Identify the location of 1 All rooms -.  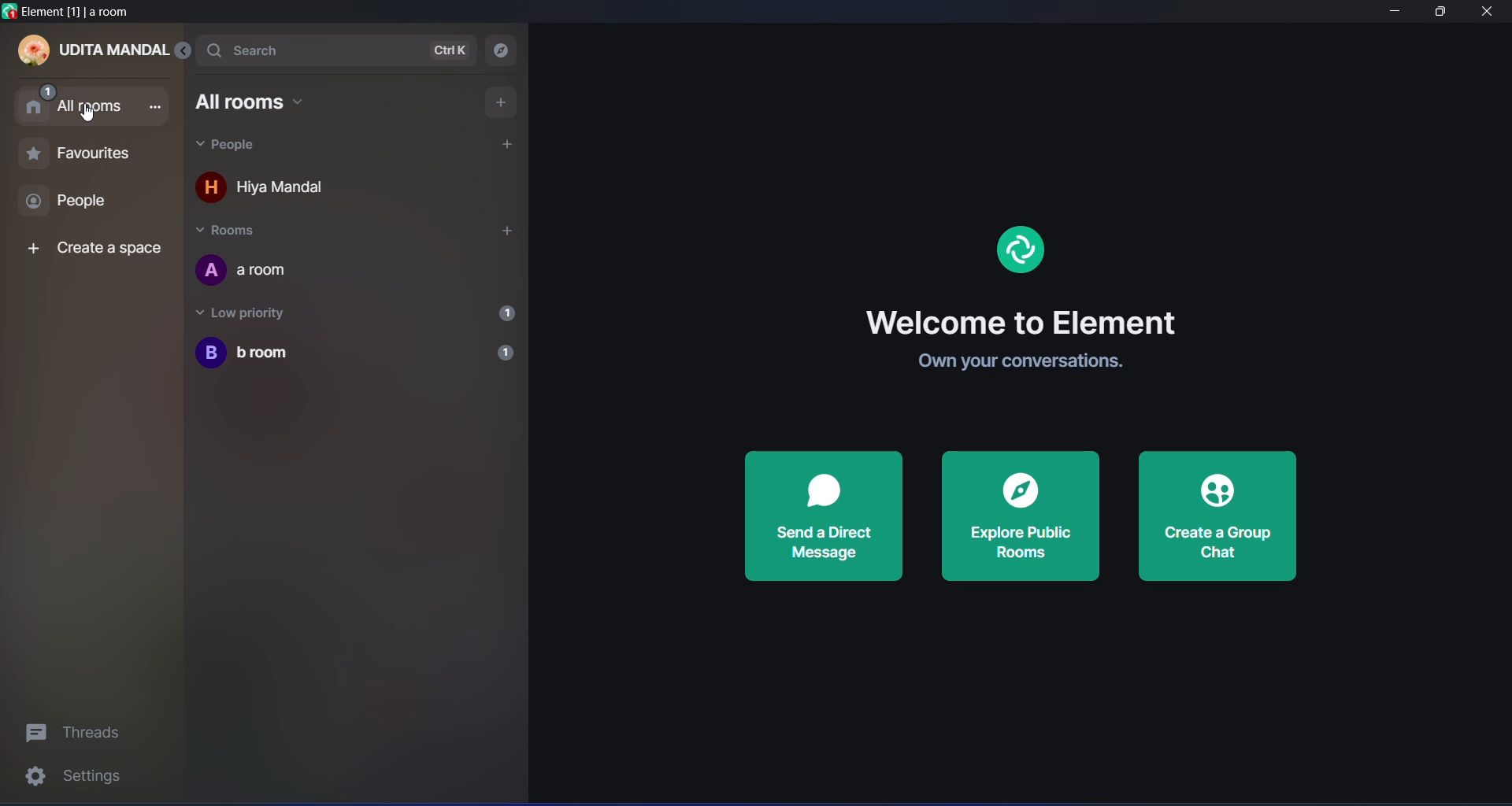
(91, 102).